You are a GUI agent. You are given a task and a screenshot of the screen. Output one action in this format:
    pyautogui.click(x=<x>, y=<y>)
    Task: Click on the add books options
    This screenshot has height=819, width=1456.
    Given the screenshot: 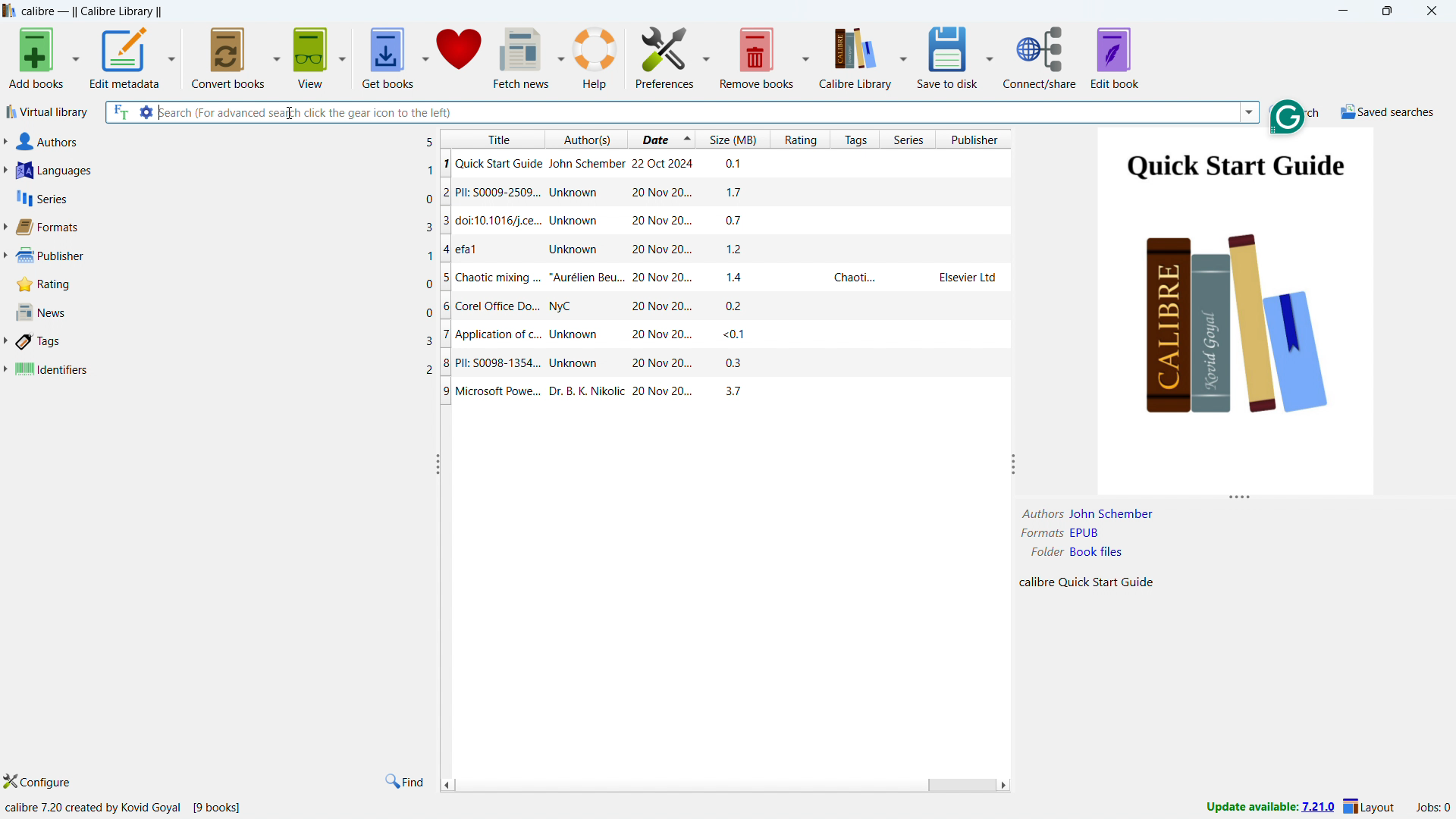 What is the action you would take?
    pyautogui.click(x=76, y=55)
    